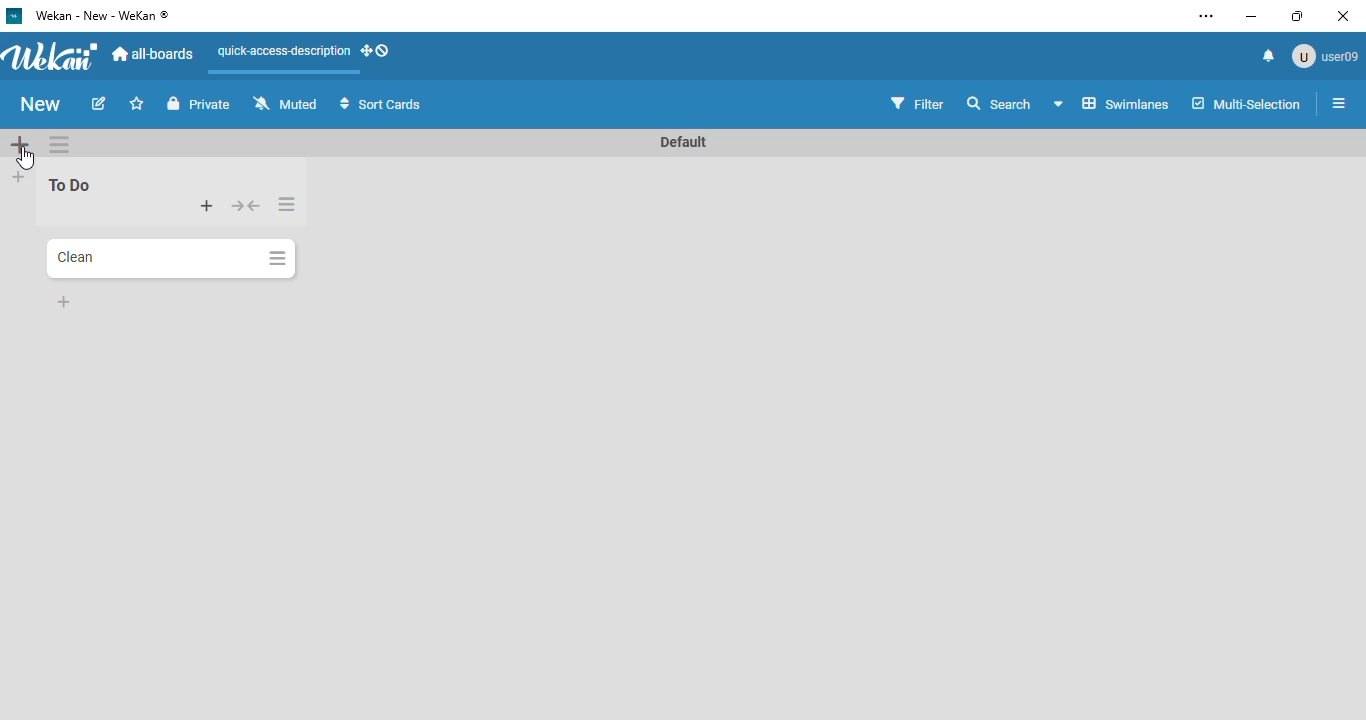 This screenshot has width=1366, height=720. What do you see at coordinates (1252, 17) in the screenshot?
I see `minimize` at bounding box center [1252, 17].